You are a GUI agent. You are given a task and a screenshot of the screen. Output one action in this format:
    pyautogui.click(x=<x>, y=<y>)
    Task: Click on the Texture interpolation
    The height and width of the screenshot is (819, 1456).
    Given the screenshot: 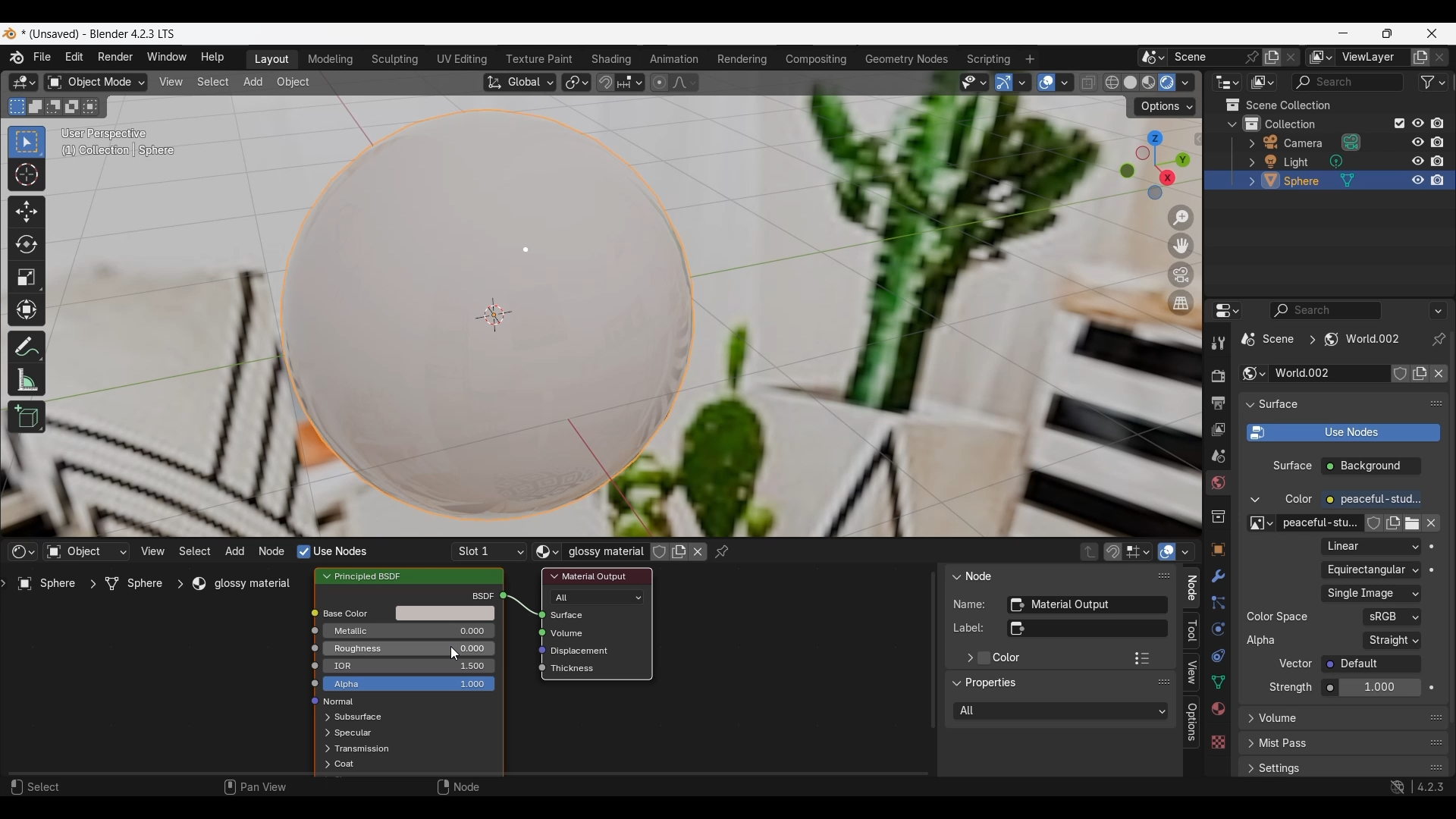 What is the action you would take?
    pyautogui.click(x=1370, y=546)
    